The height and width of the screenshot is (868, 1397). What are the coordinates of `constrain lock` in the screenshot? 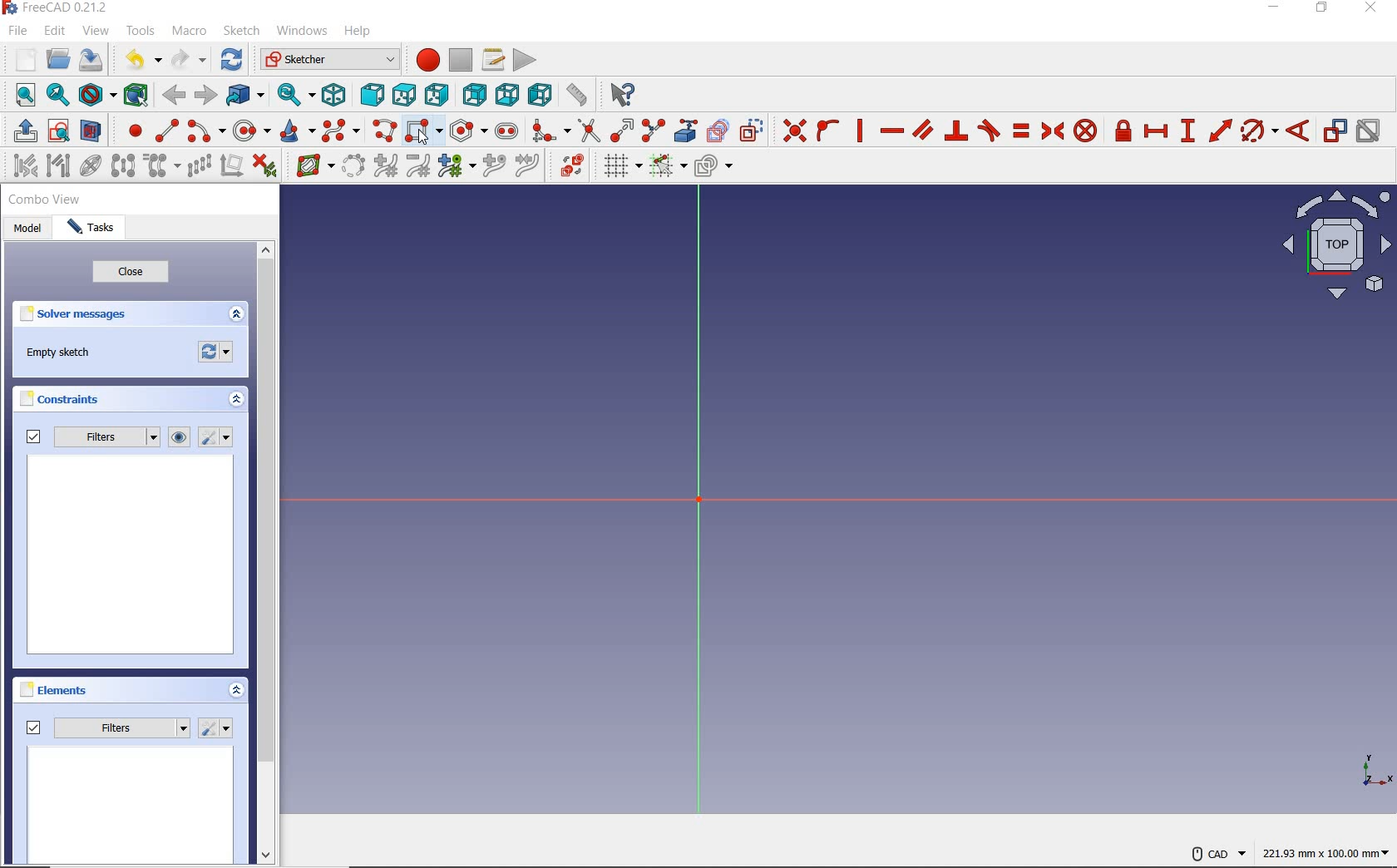 It's located at (1123, 131).